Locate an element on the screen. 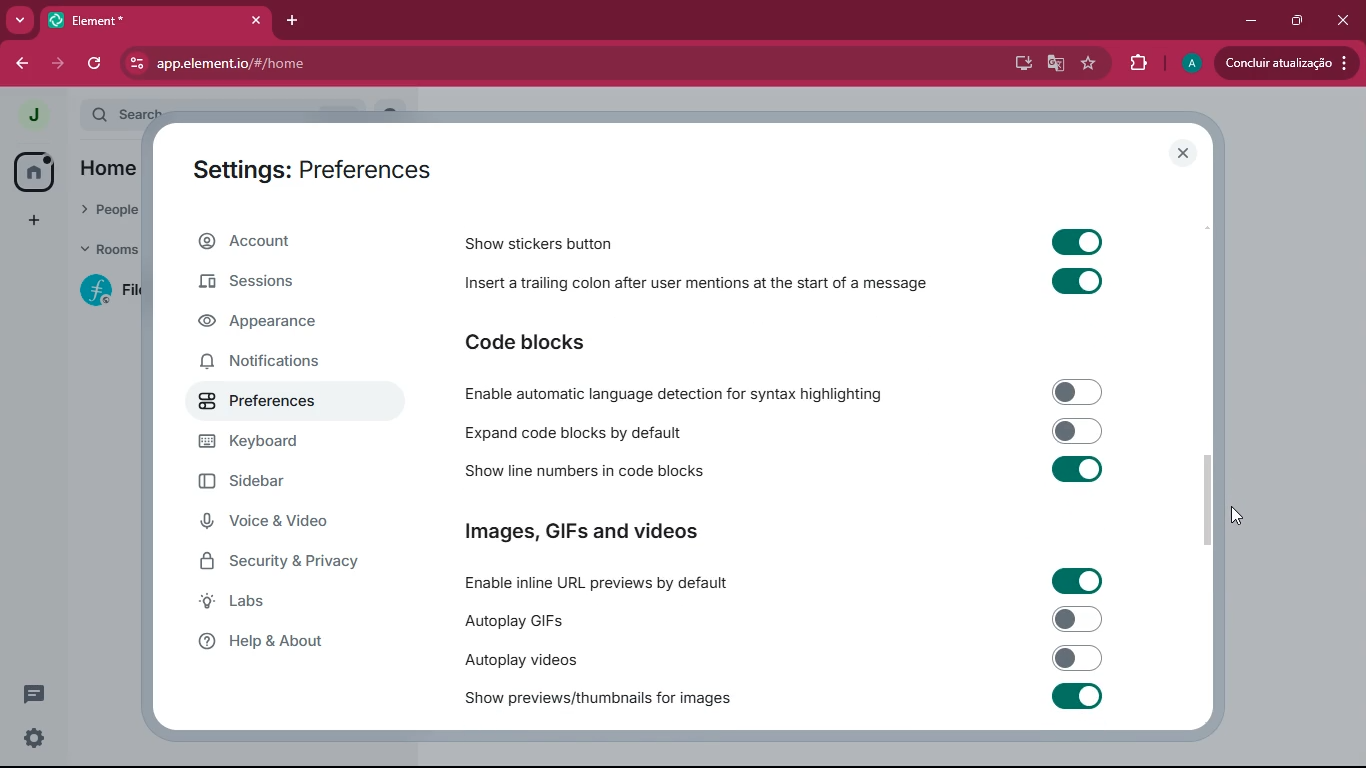 Image resolution: width=1366 pixels, height=768 pixels. settings is located at coordinates (32, 738).